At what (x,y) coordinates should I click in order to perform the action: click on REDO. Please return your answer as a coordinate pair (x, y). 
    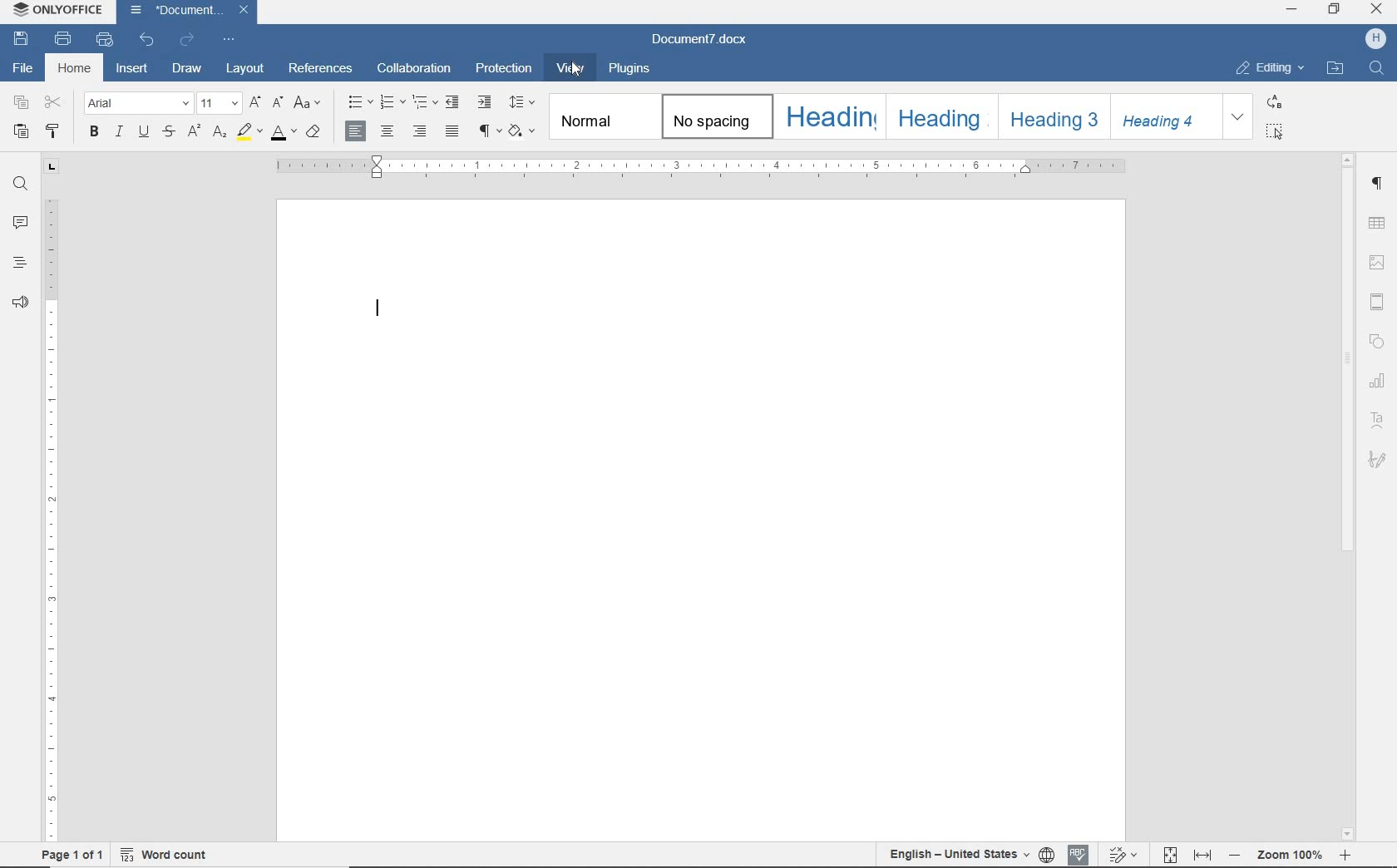
    Looking at the image, I should click on (188, 42).